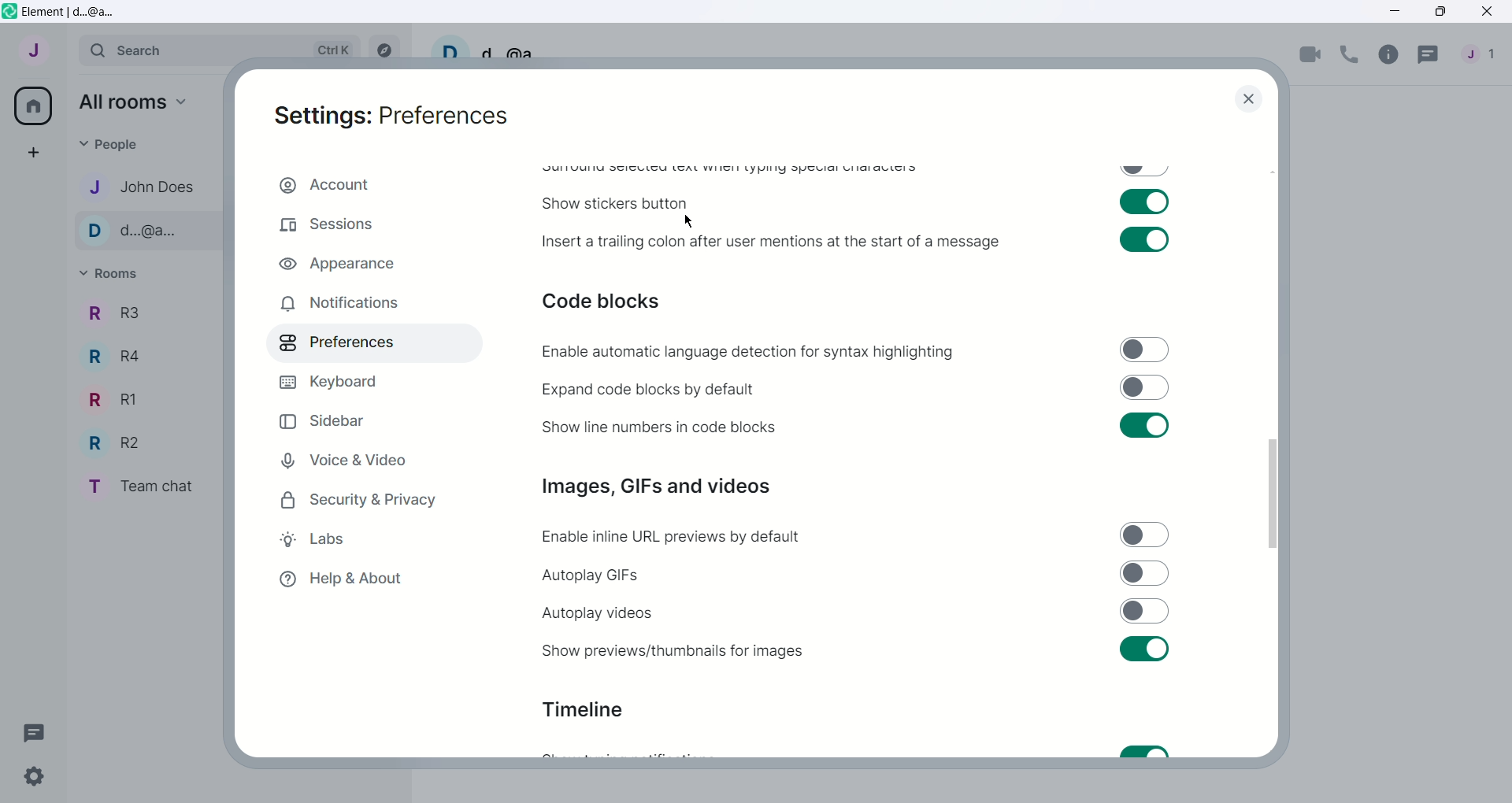 The image size is (1512, 803). I want to click on Toggle swtich on for show stickers button, so click(1143, 202).